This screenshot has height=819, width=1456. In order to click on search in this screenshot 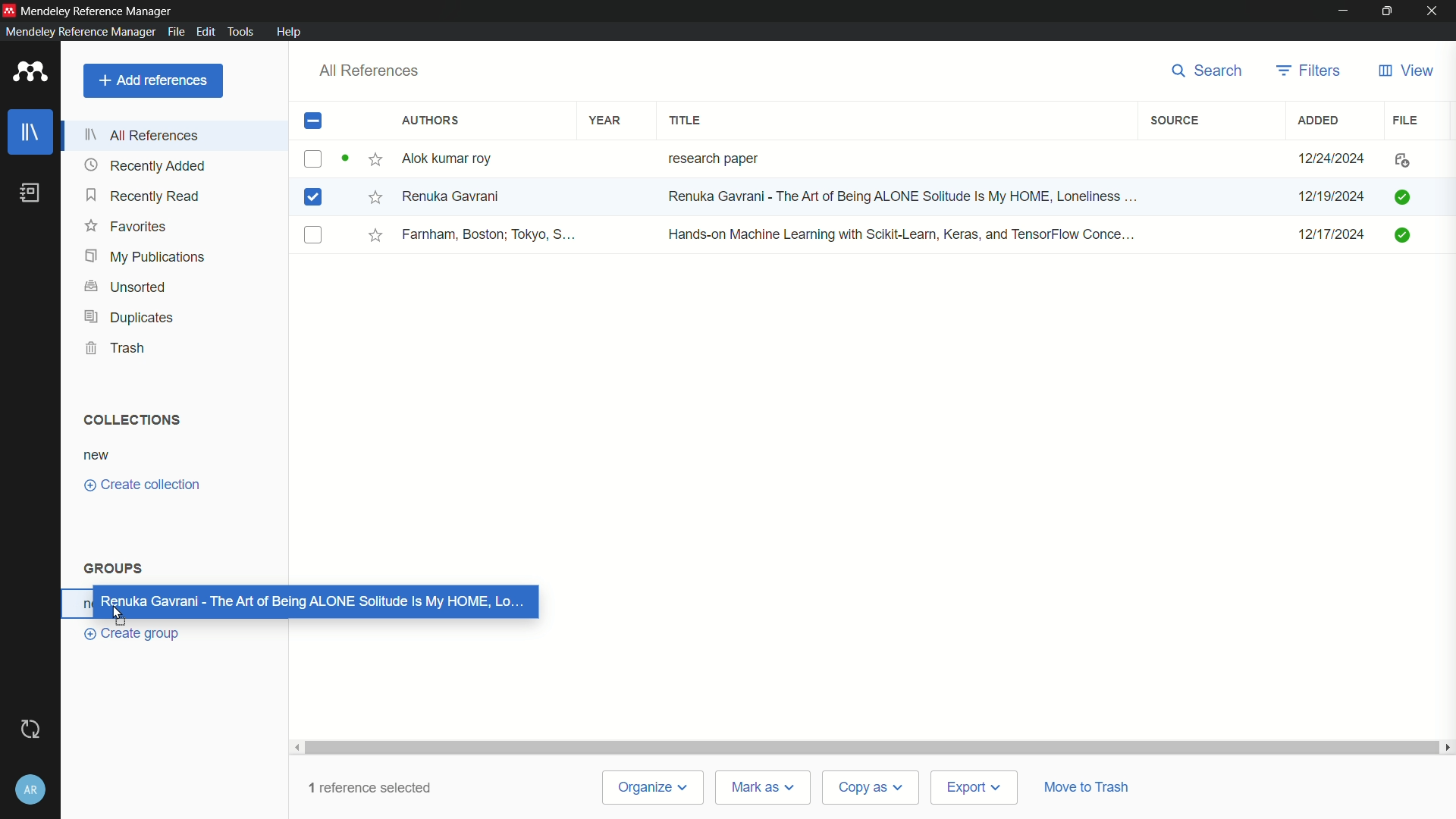, I will do `click(1202, 71)`.